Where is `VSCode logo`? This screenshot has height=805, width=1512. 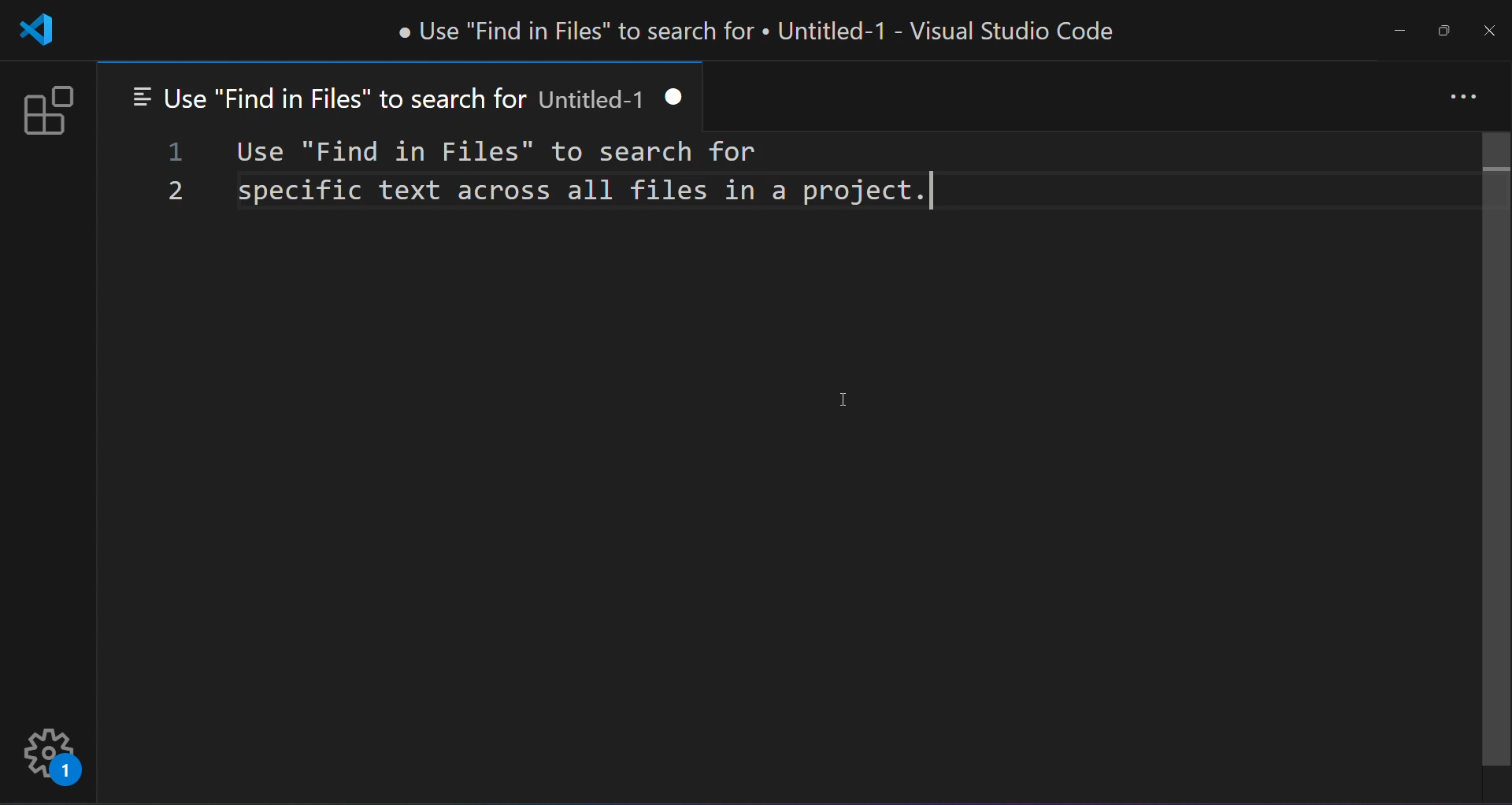 VSCode logo is located at coordinates (40, 29).